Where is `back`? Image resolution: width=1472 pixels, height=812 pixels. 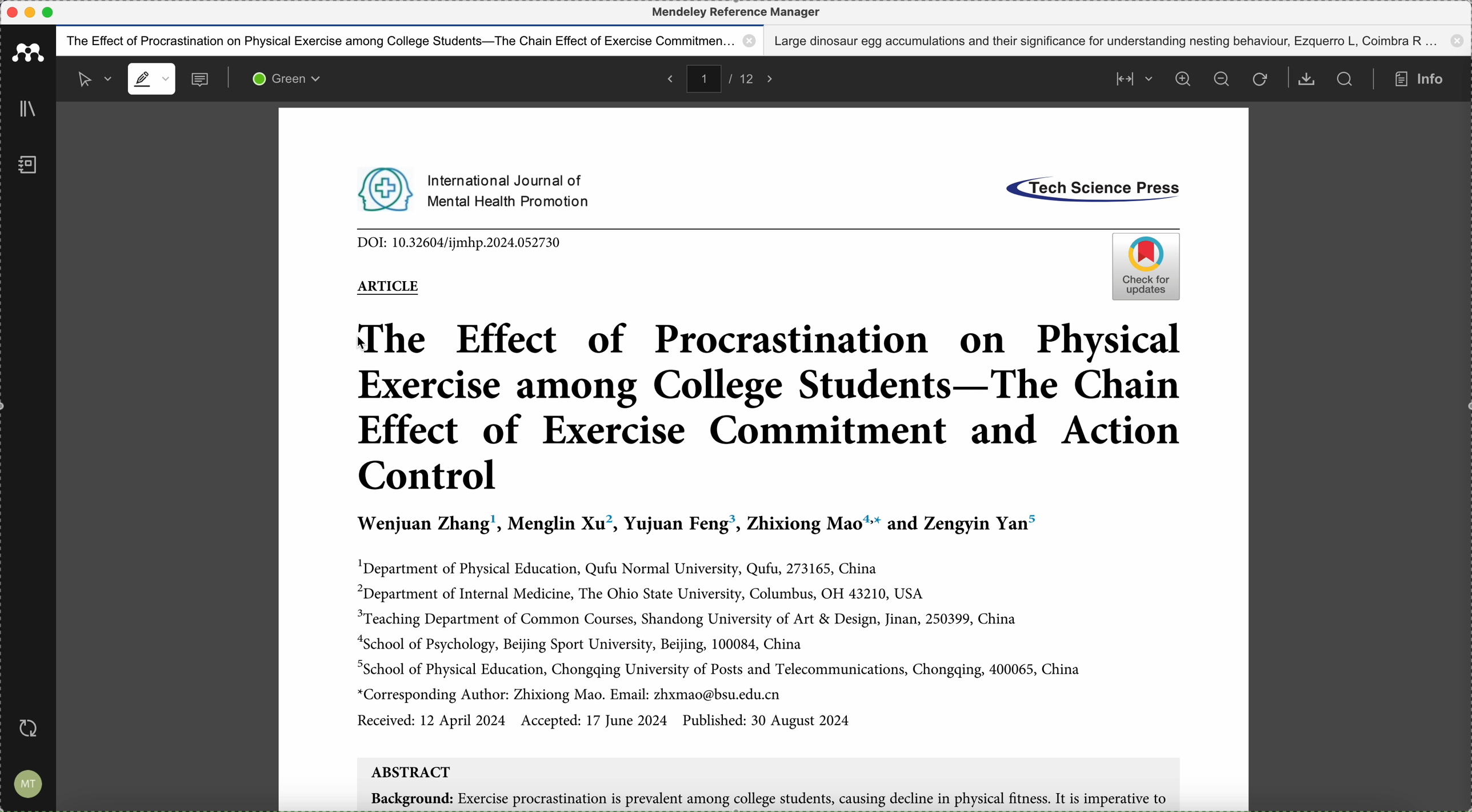
back is located at coordinates (668, 78).